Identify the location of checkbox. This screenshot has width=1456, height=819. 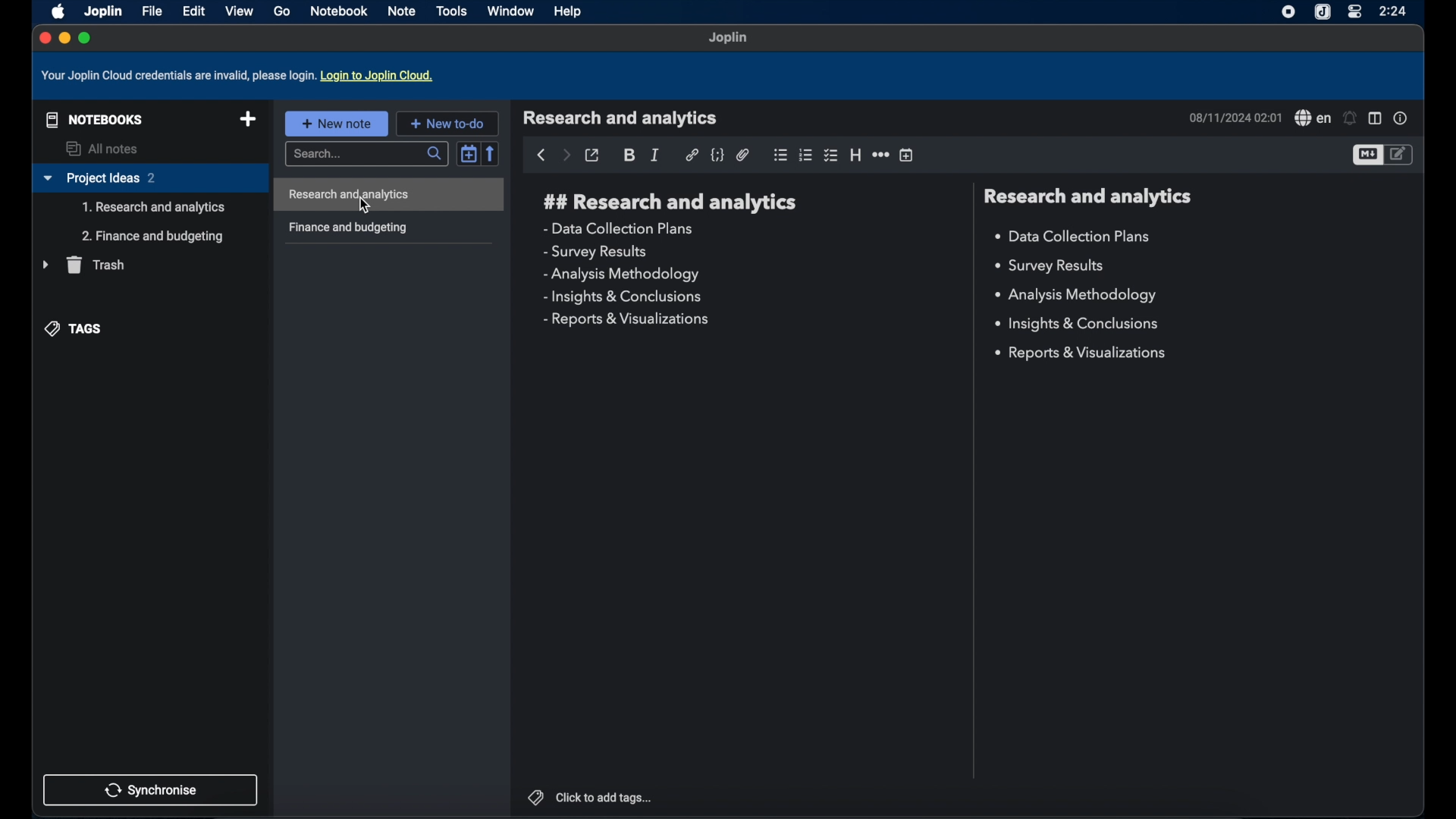
(832, 155).